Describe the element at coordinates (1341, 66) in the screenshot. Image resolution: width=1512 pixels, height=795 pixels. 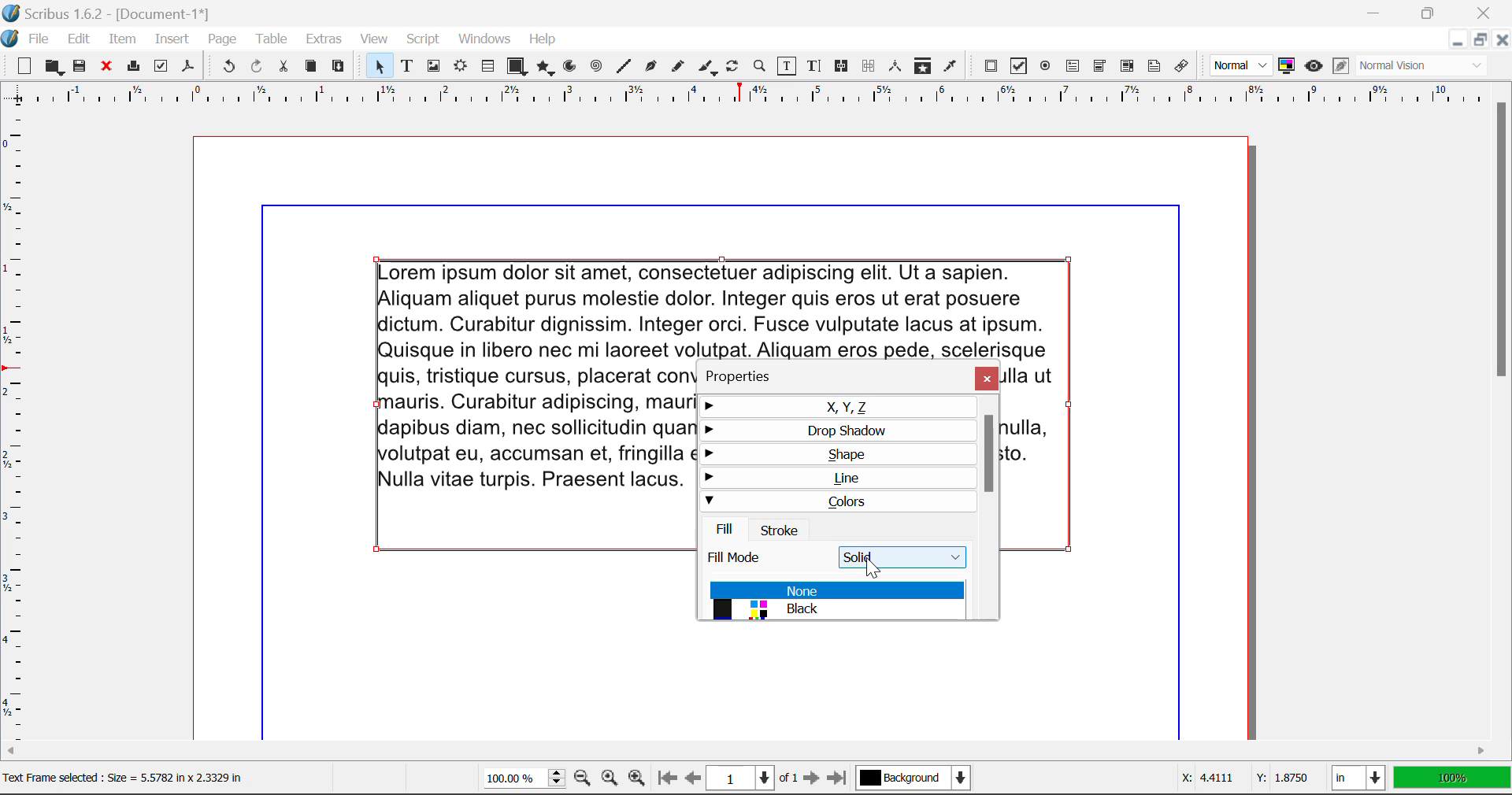
I see `Edit in Preview Mode` at that location.